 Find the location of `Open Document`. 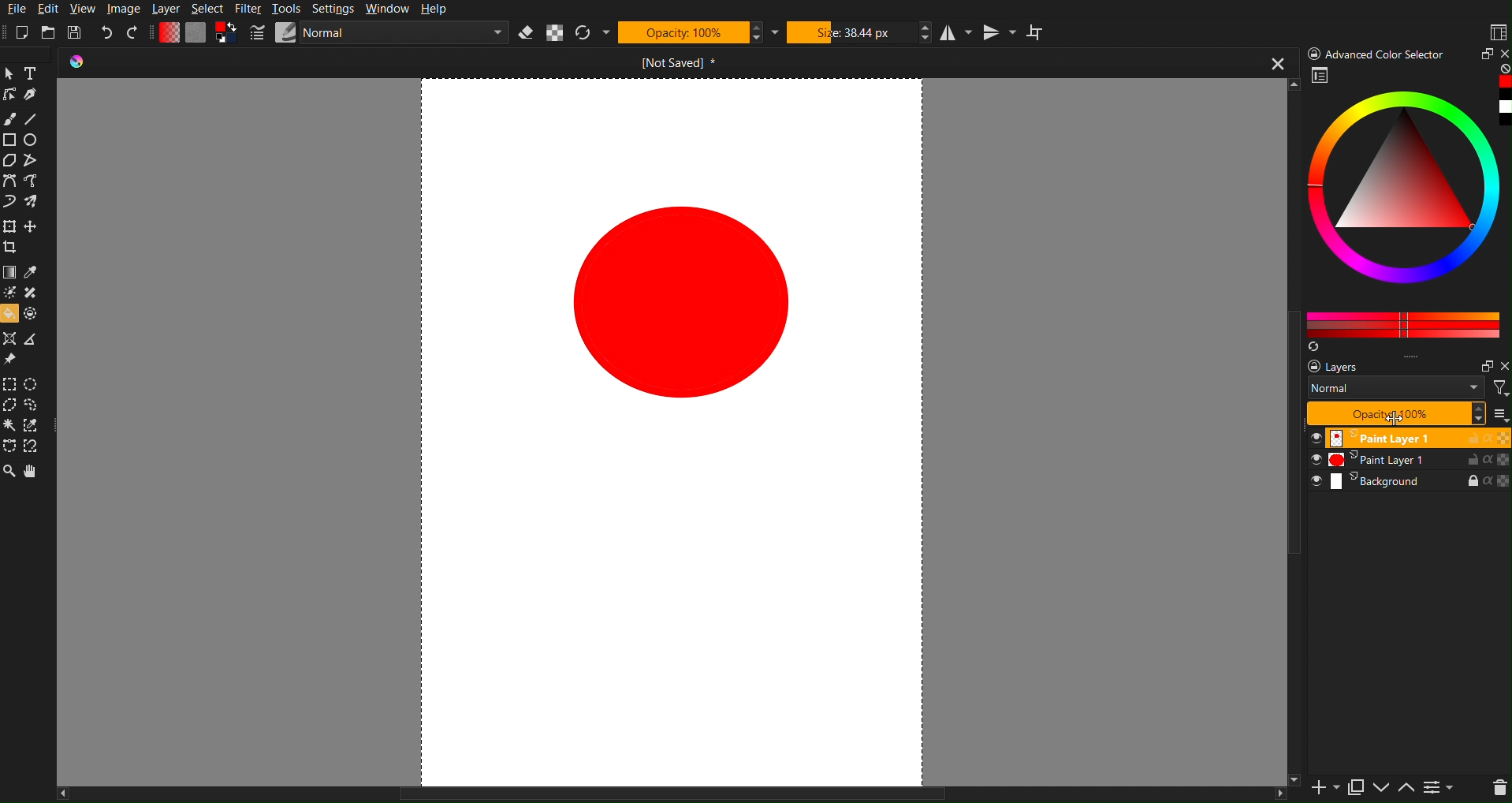

Open Document is located at coordinates (661, 65).